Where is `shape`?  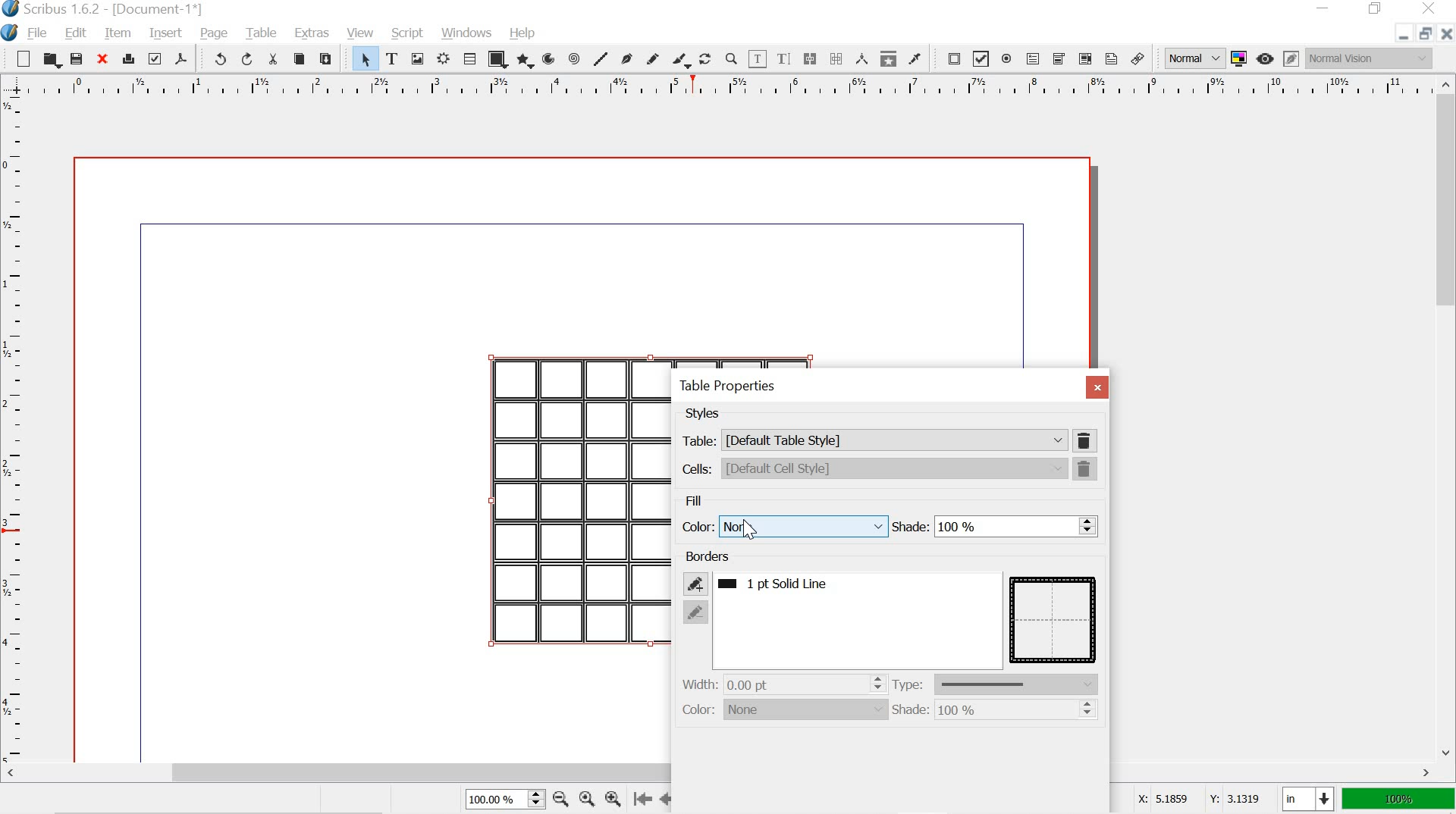 shape is located at coordinates (500, 59).